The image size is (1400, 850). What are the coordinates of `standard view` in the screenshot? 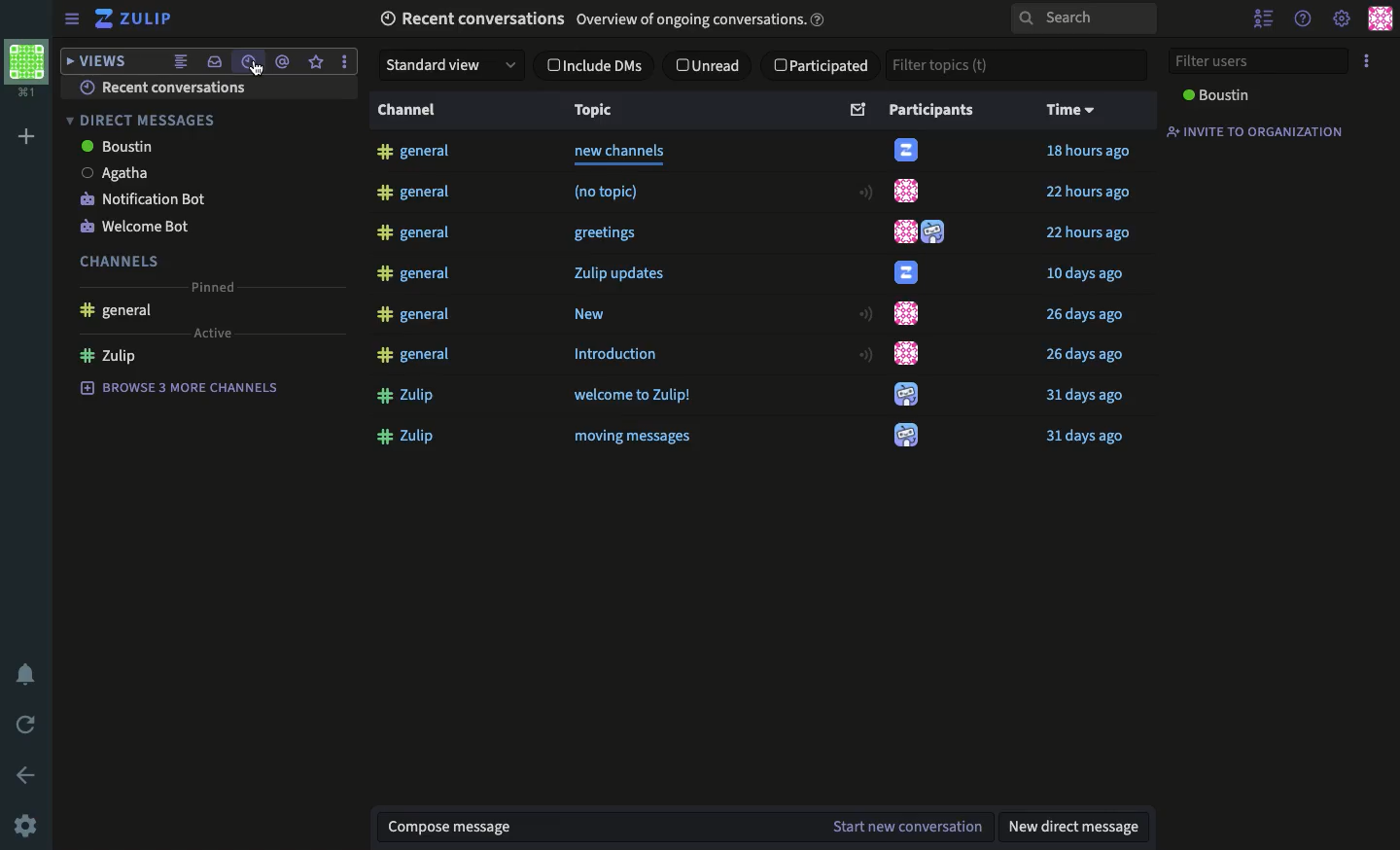 It's located at (452, 64).